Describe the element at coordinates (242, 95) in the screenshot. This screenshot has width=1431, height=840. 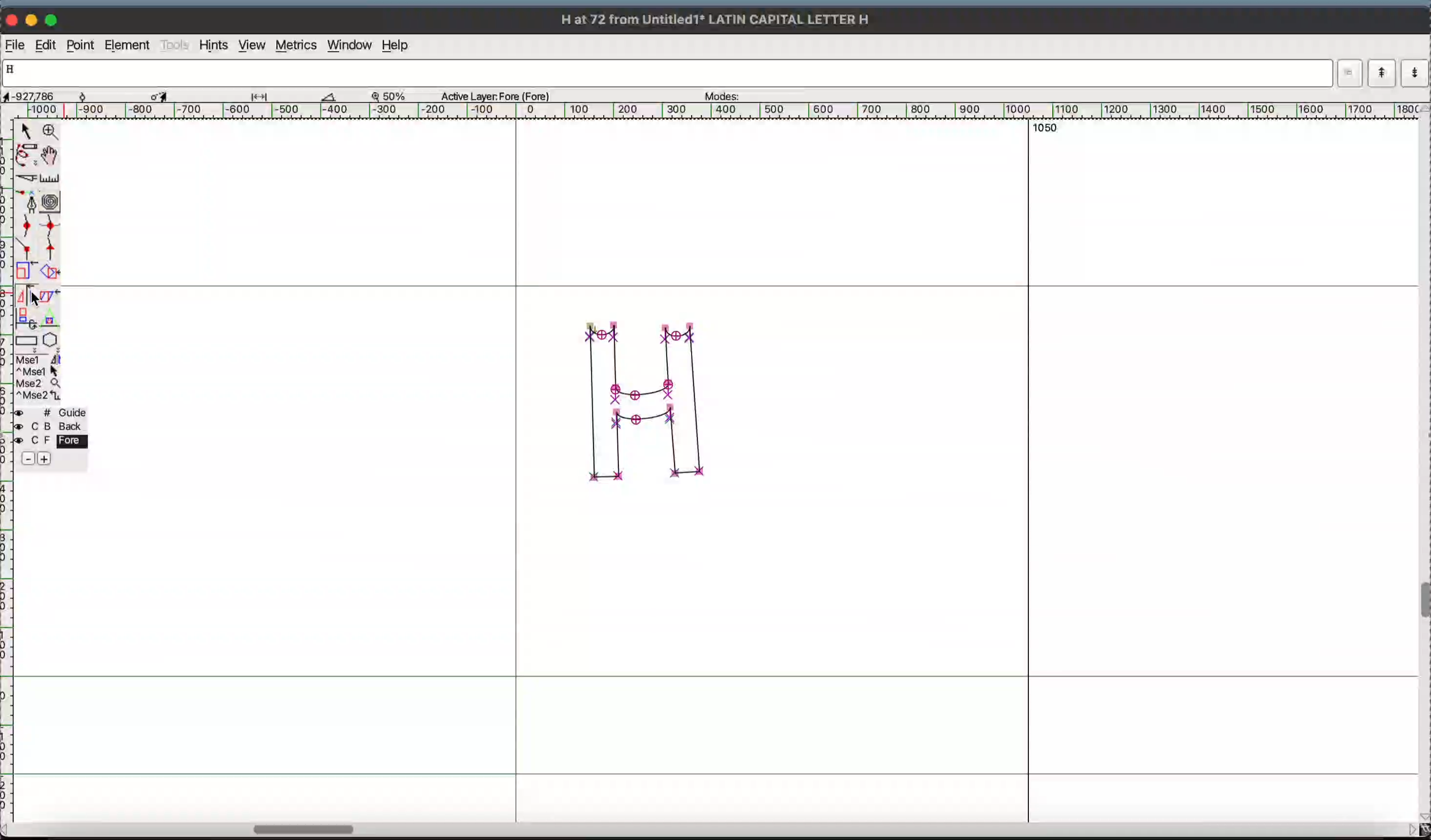
I see `measurement` at that location.